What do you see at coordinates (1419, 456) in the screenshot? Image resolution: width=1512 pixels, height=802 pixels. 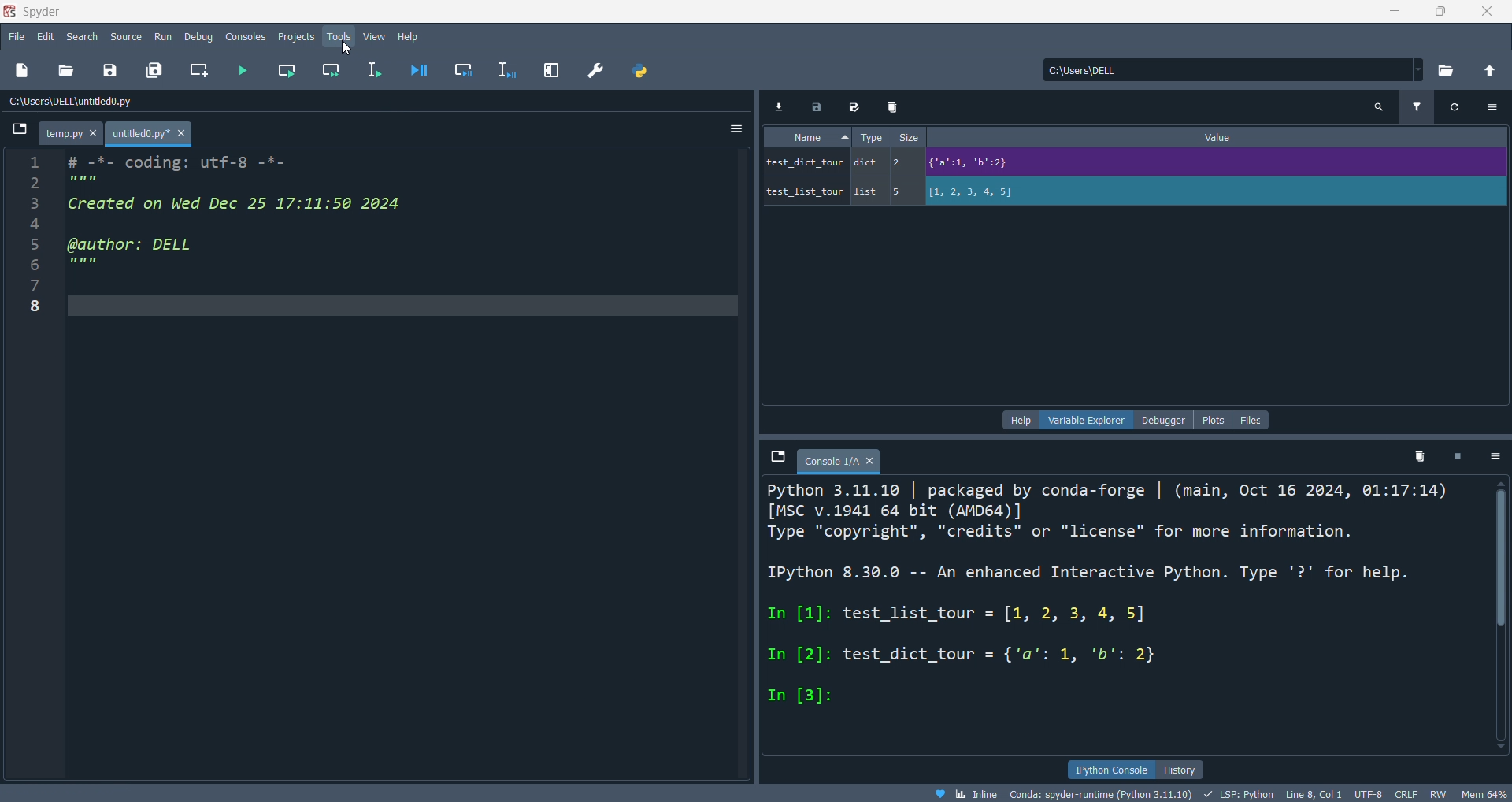 I see `delete variables` at bounding box center [1419, 456].